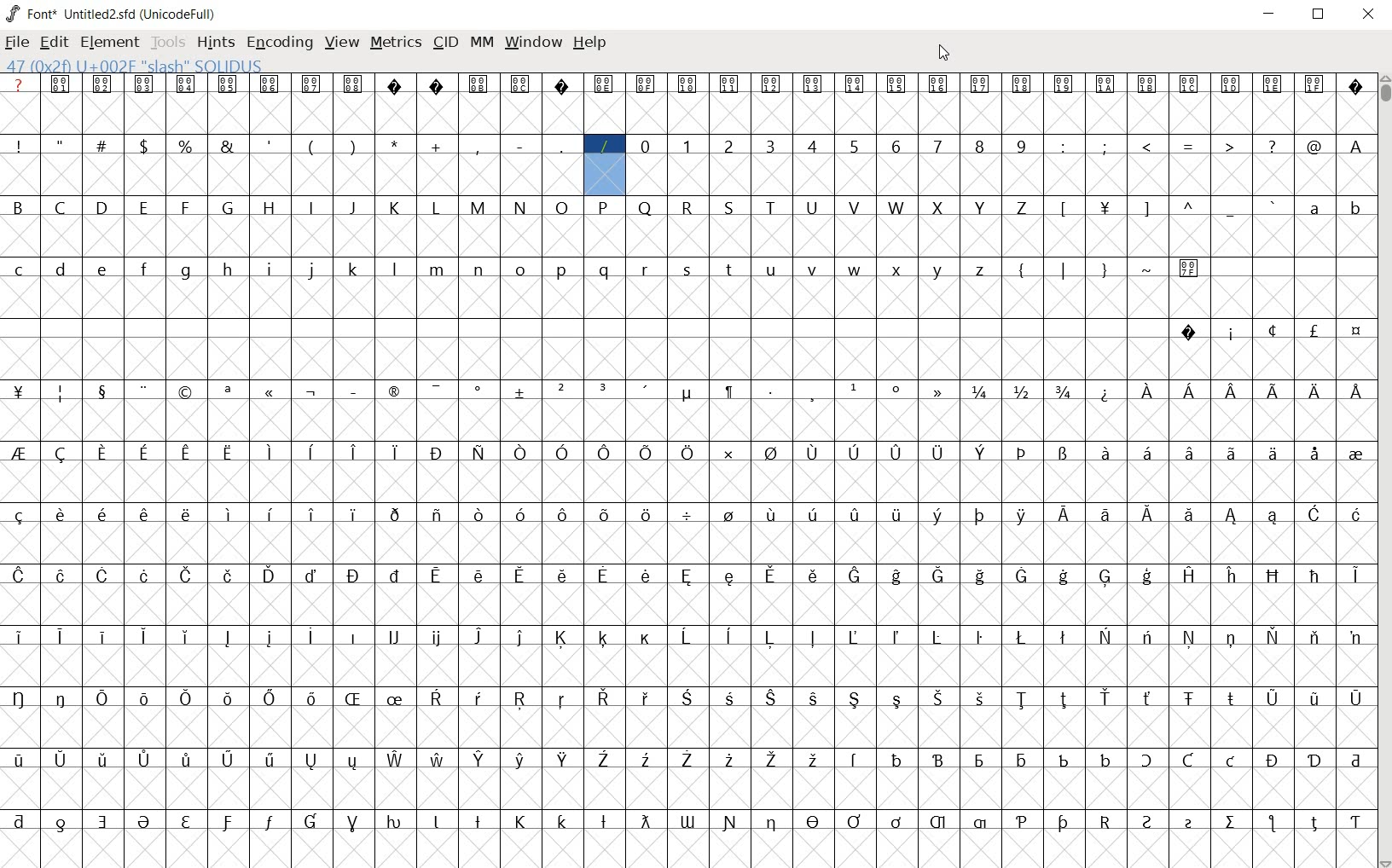 The width and height of the screenshot is (1392, 868). I want to click on glyph, so click(271, 269).